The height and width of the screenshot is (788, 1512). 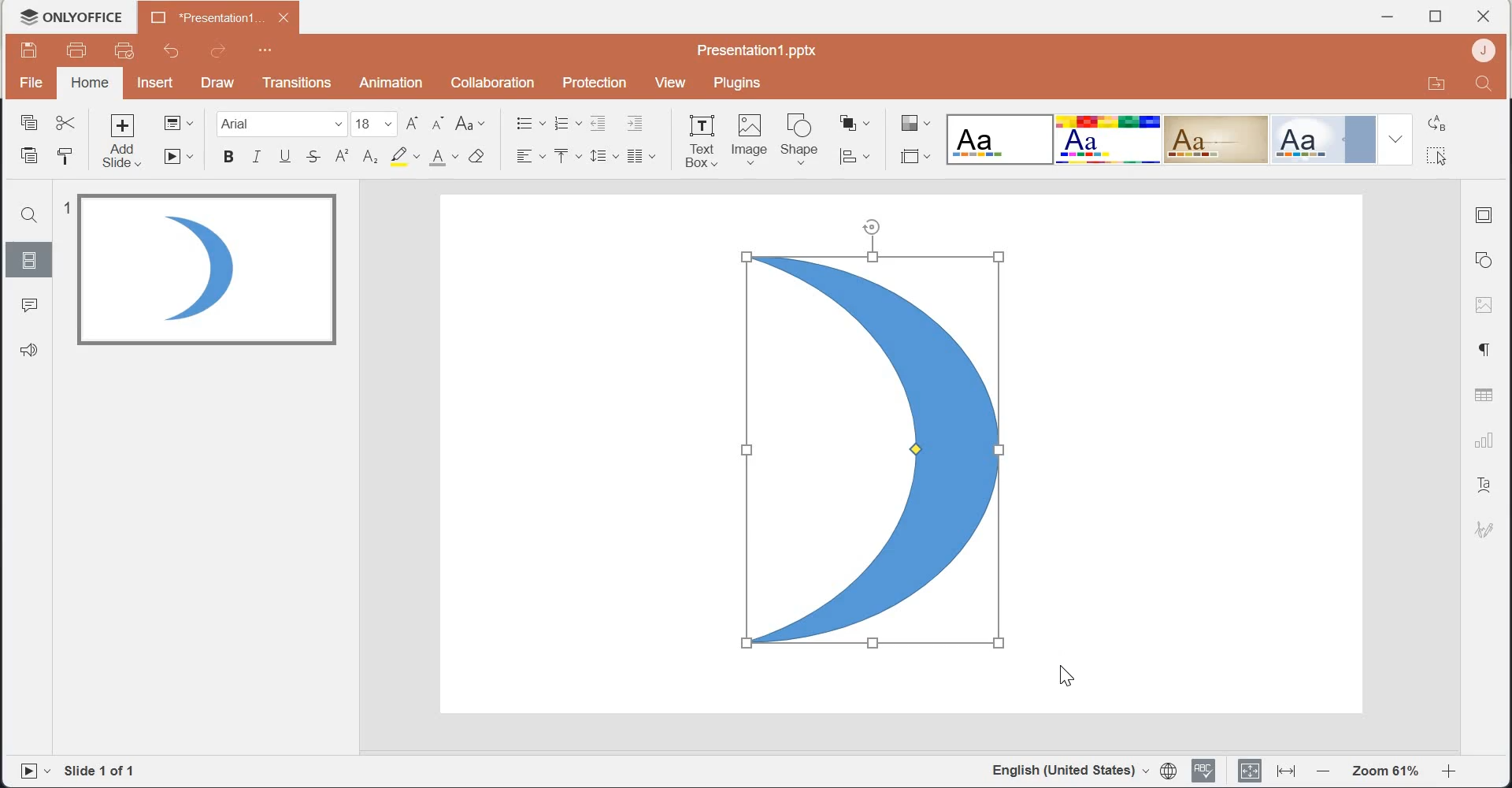 What do you see at coordinates (376, 125) in the screenshot?
I see `font size` at bounding box center [376, 125].